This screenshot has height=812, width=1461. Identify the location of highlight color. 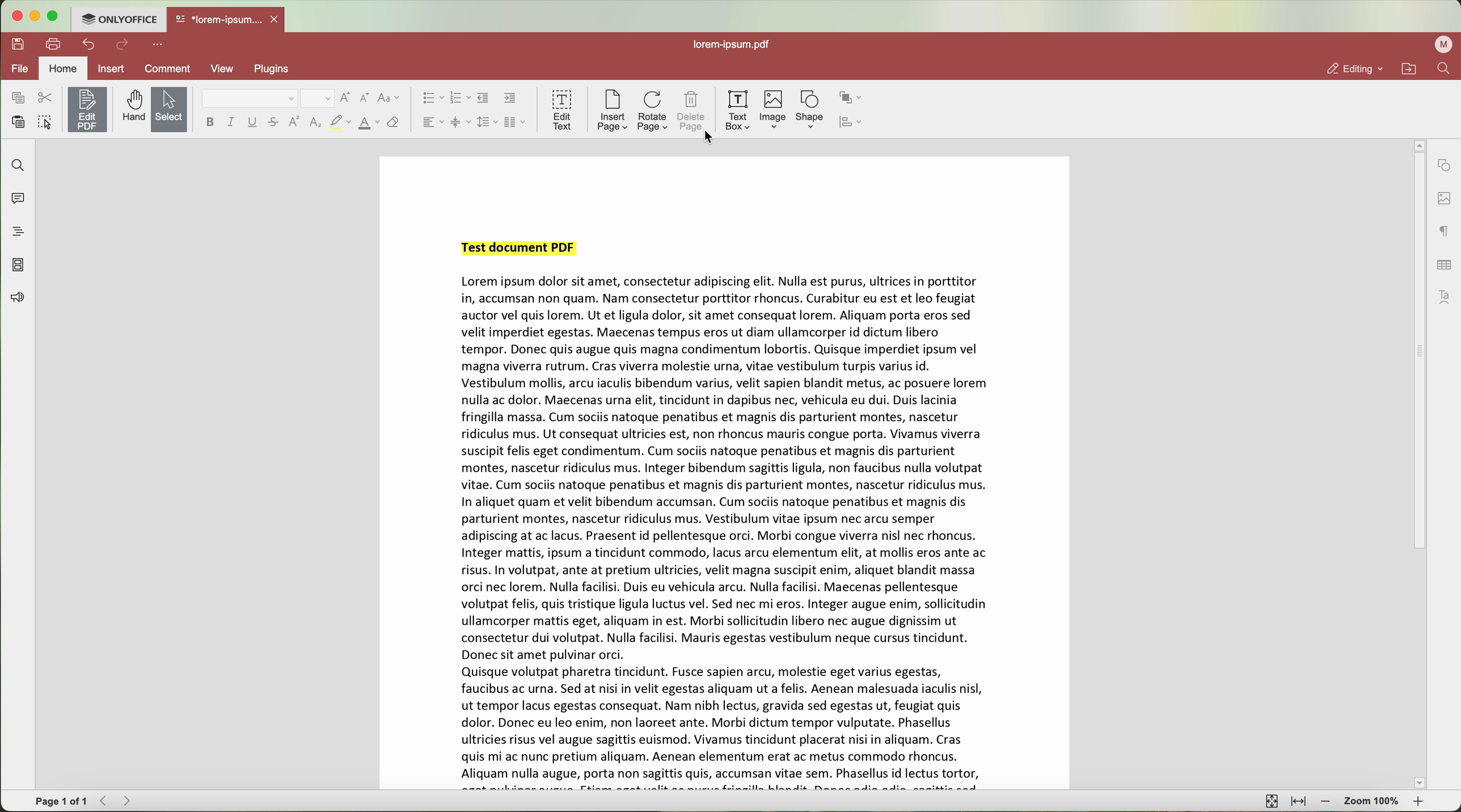
(340, 123).